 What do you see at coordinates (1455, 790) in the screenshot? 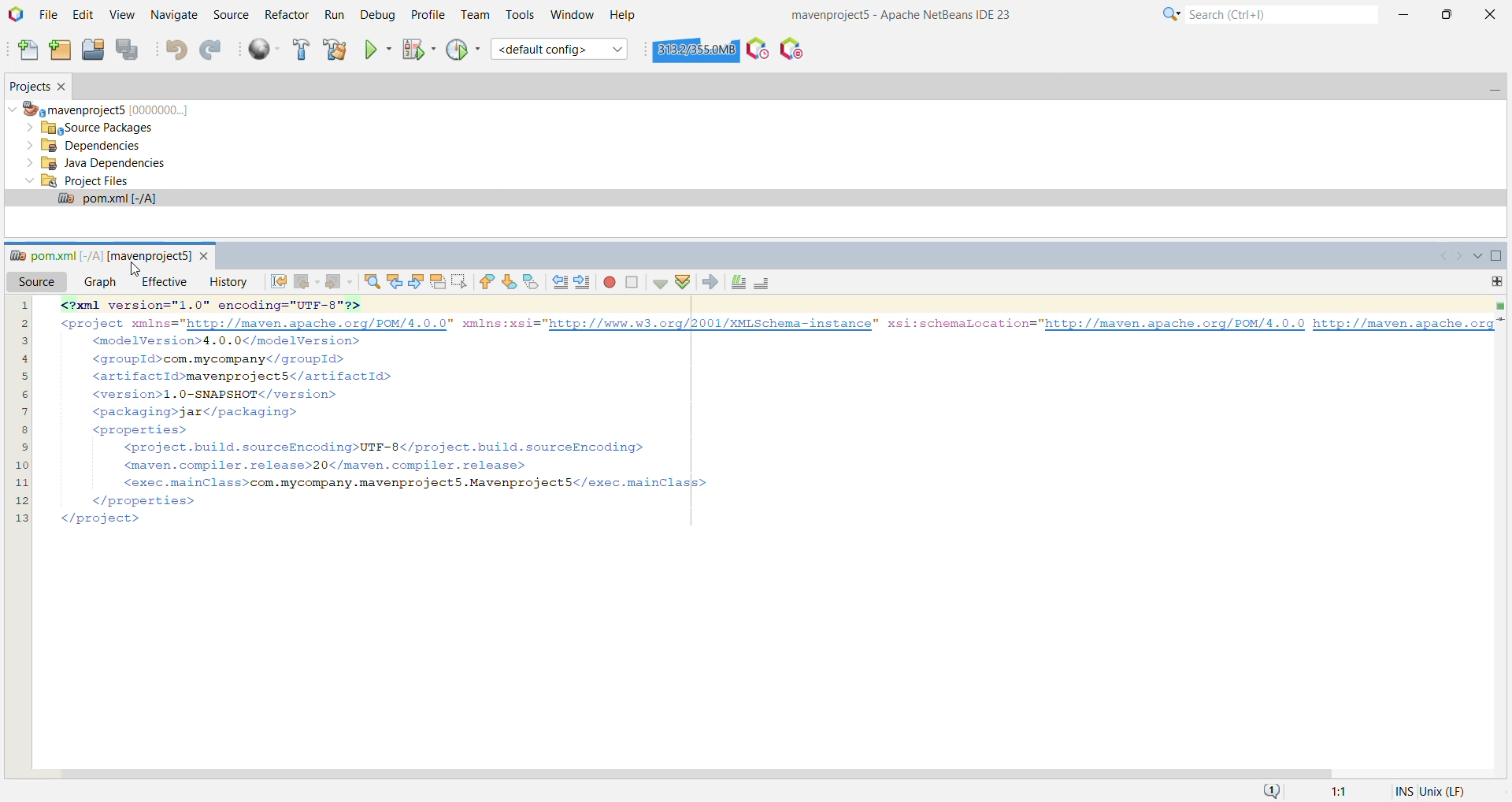
I see `System OS` at bounding box center [1455, 790].